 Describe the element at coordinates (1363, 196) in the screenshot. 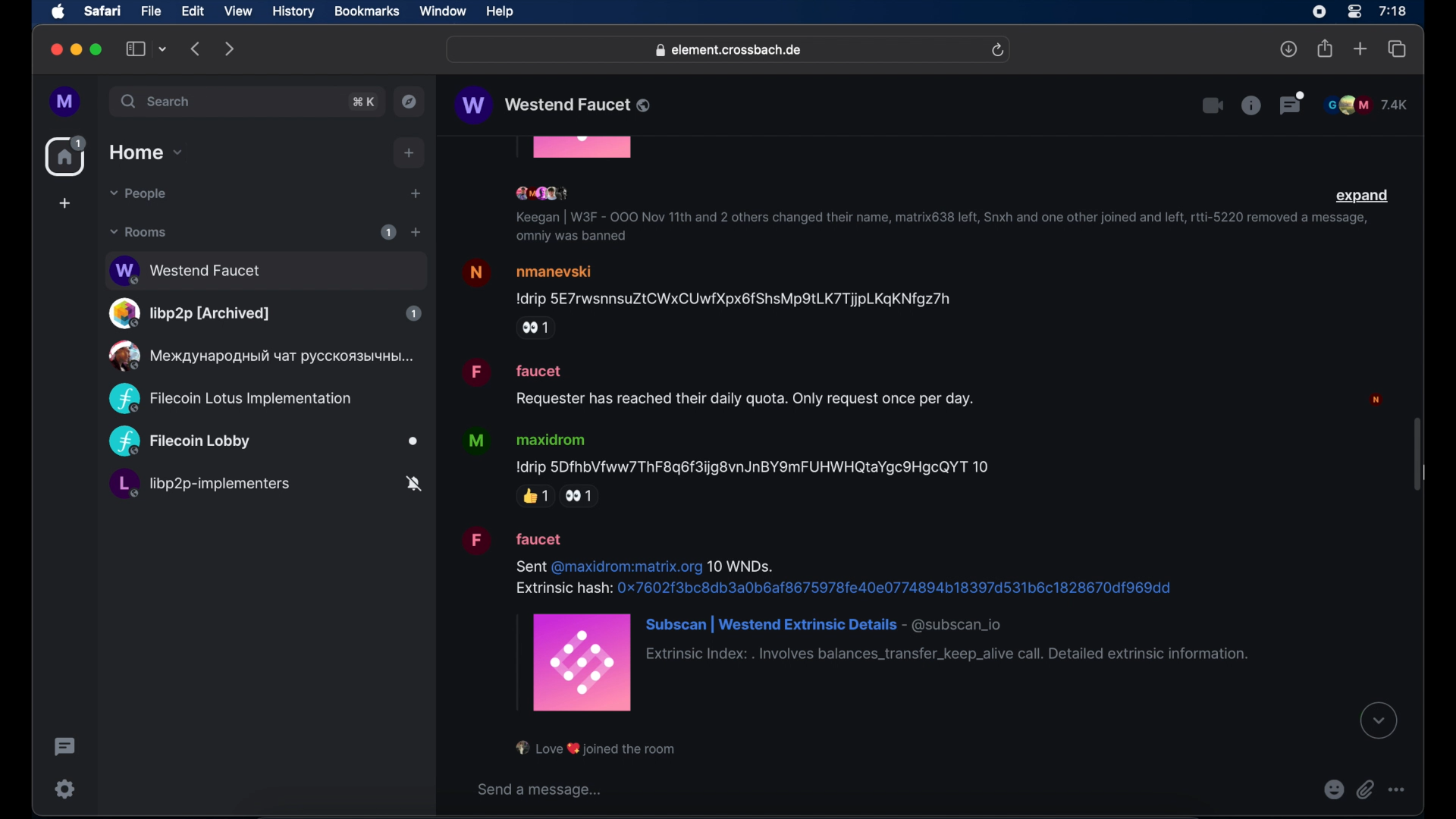

I see `expand` at that location.